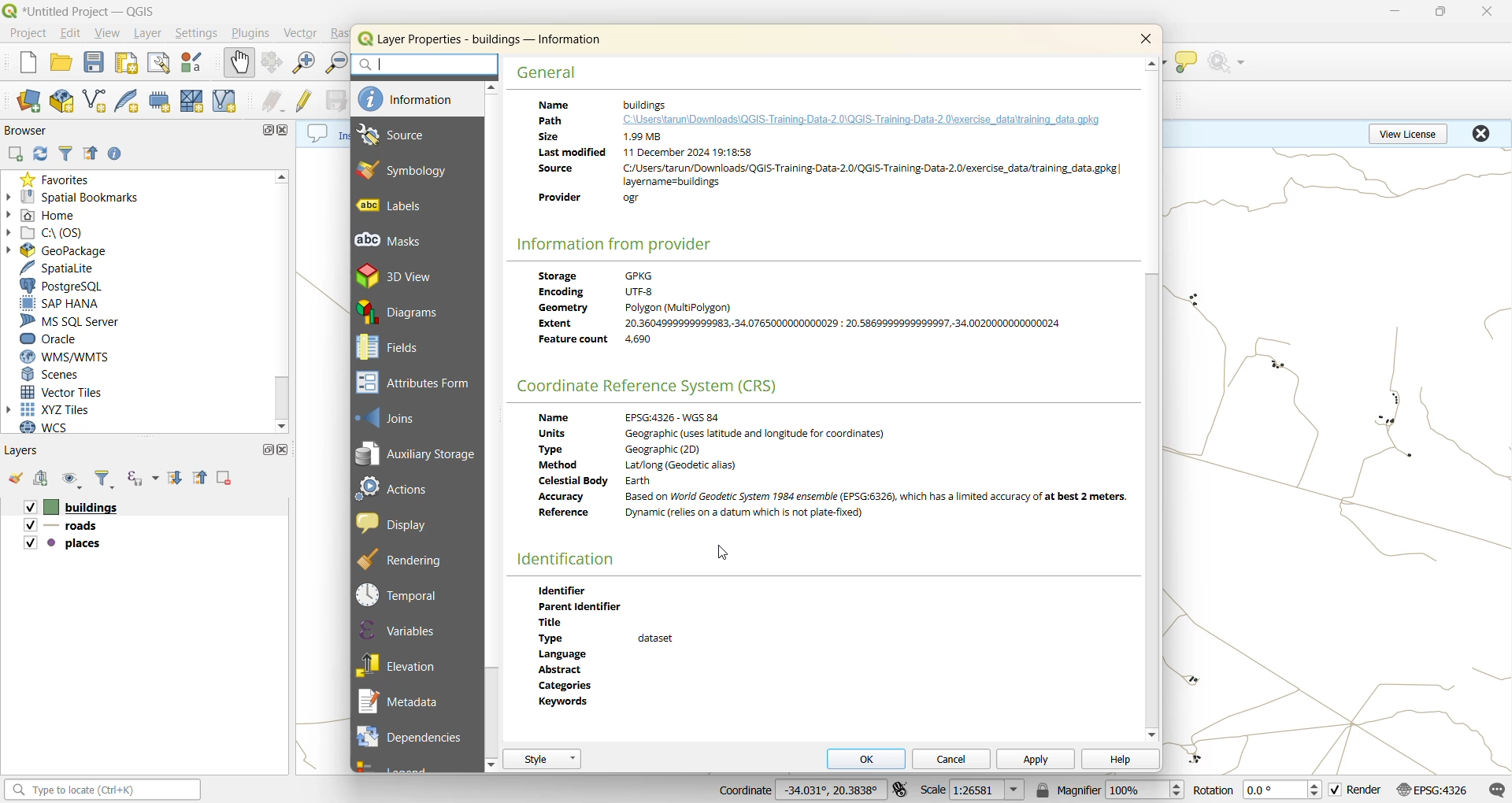 The width and height of the screenshot is (1512, 803). What do you see at coordinates (78, 303) in the screenshot?
I see `sap hana` at bounding box center [78, 303].